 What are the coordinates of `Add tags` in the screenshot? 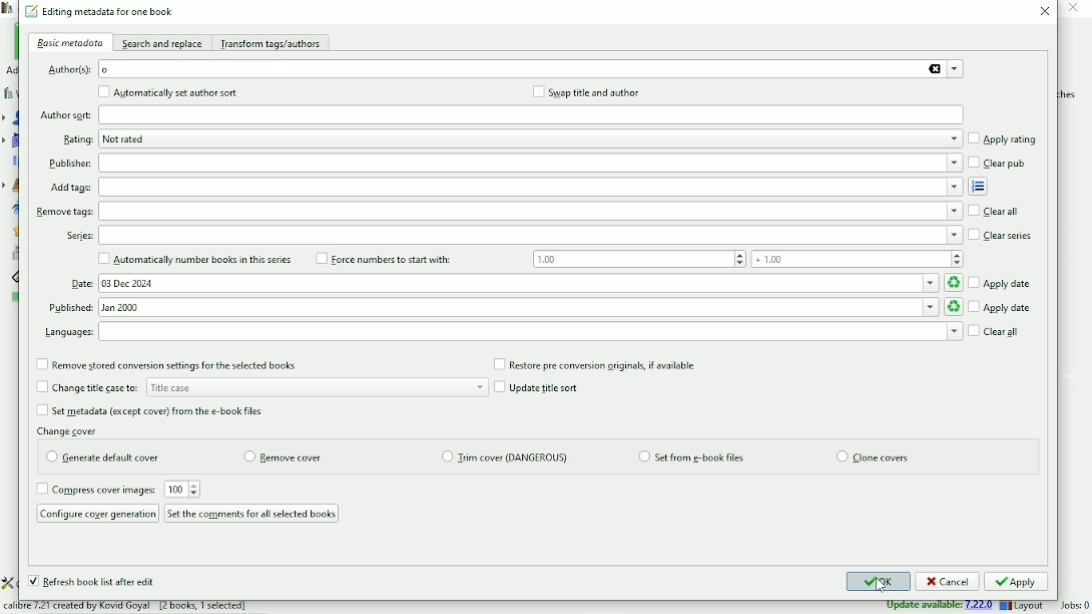 It's located at (70, 188).